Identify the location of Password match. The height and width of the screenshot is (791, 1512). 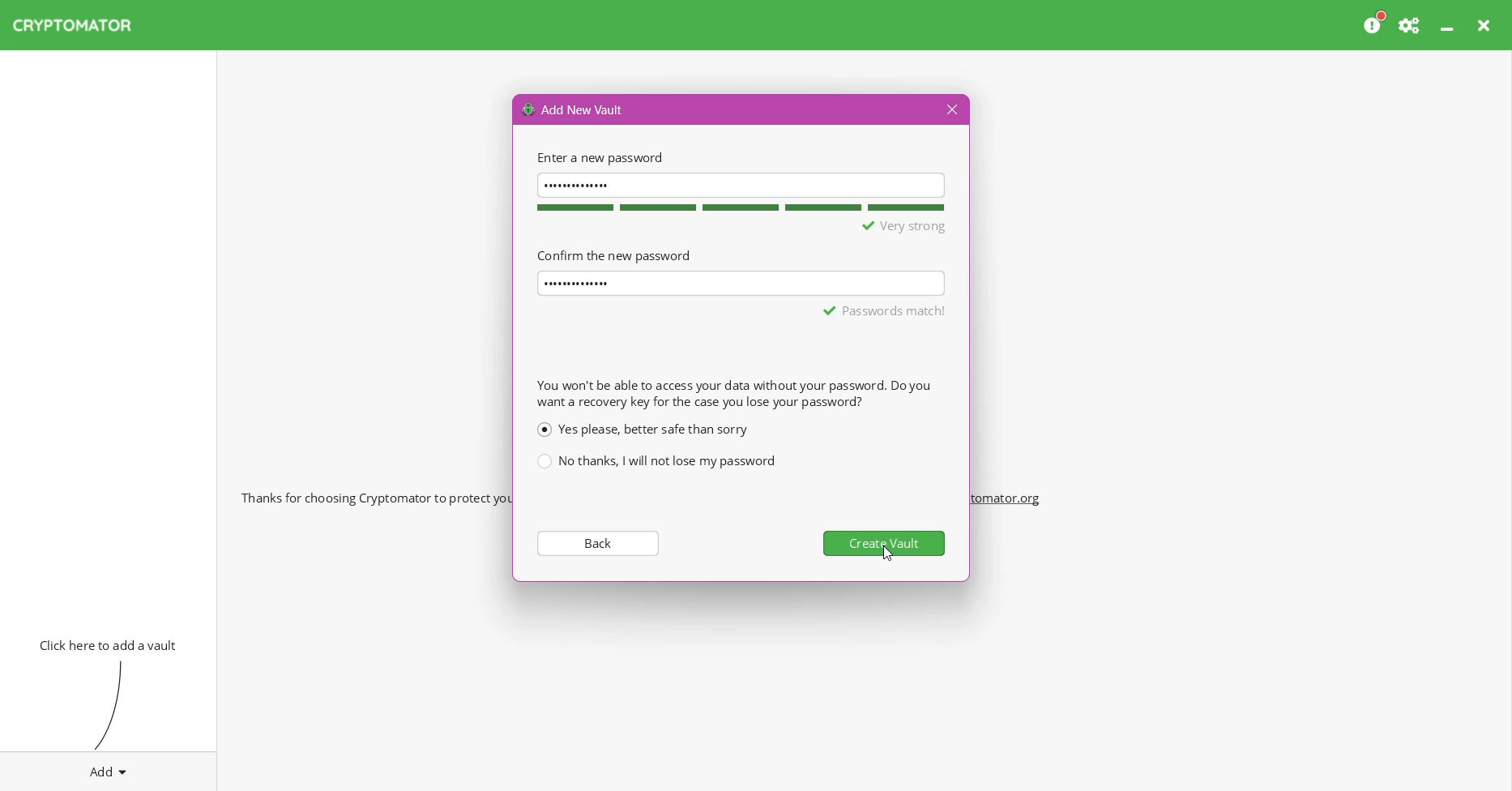
(886, 310).